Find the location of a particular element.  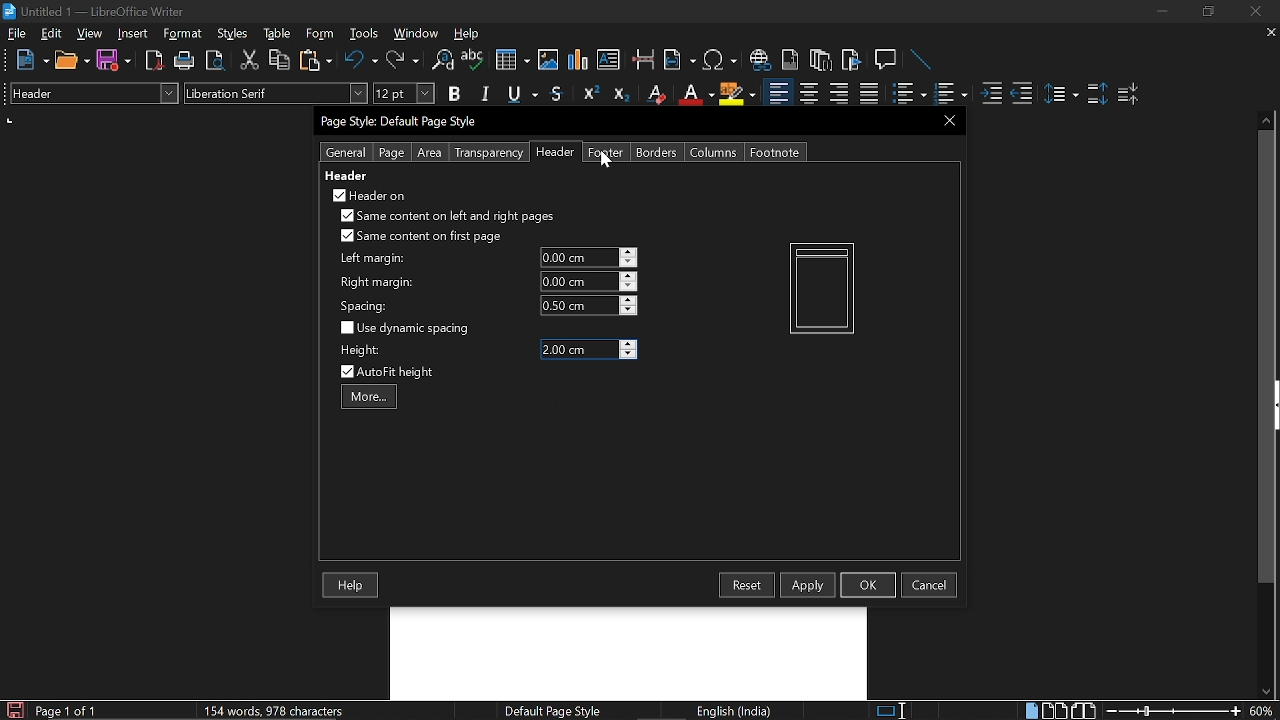

Paste is located at coordinates (314, 59).